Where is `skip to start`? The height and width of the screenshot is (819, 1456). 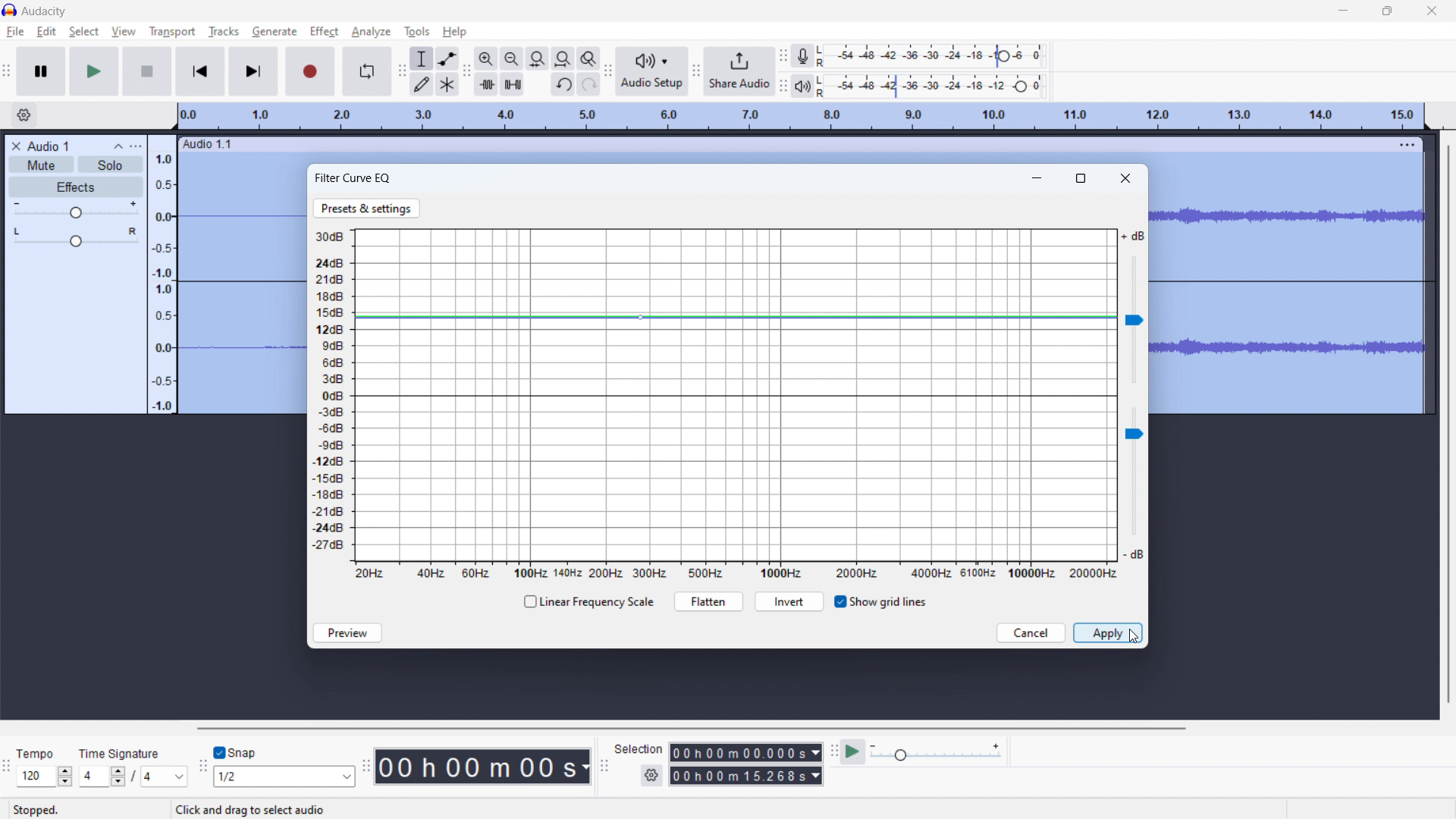
skip to start is located at coordinates (200, 71).